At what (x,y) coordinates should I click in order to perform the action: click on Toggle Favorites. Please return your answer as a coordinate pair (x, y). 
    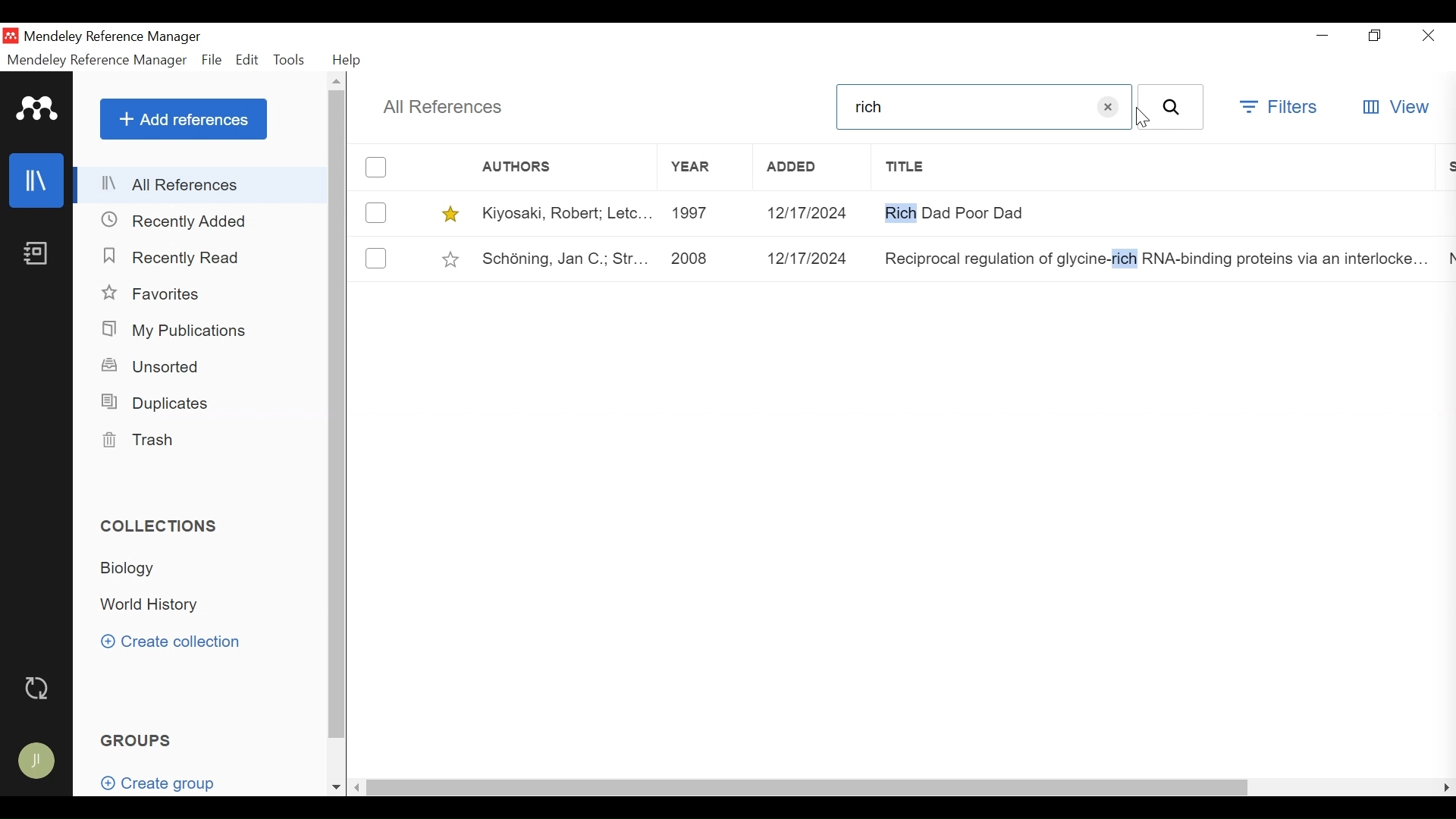
    Looking at the image, I should click on (451, 257).